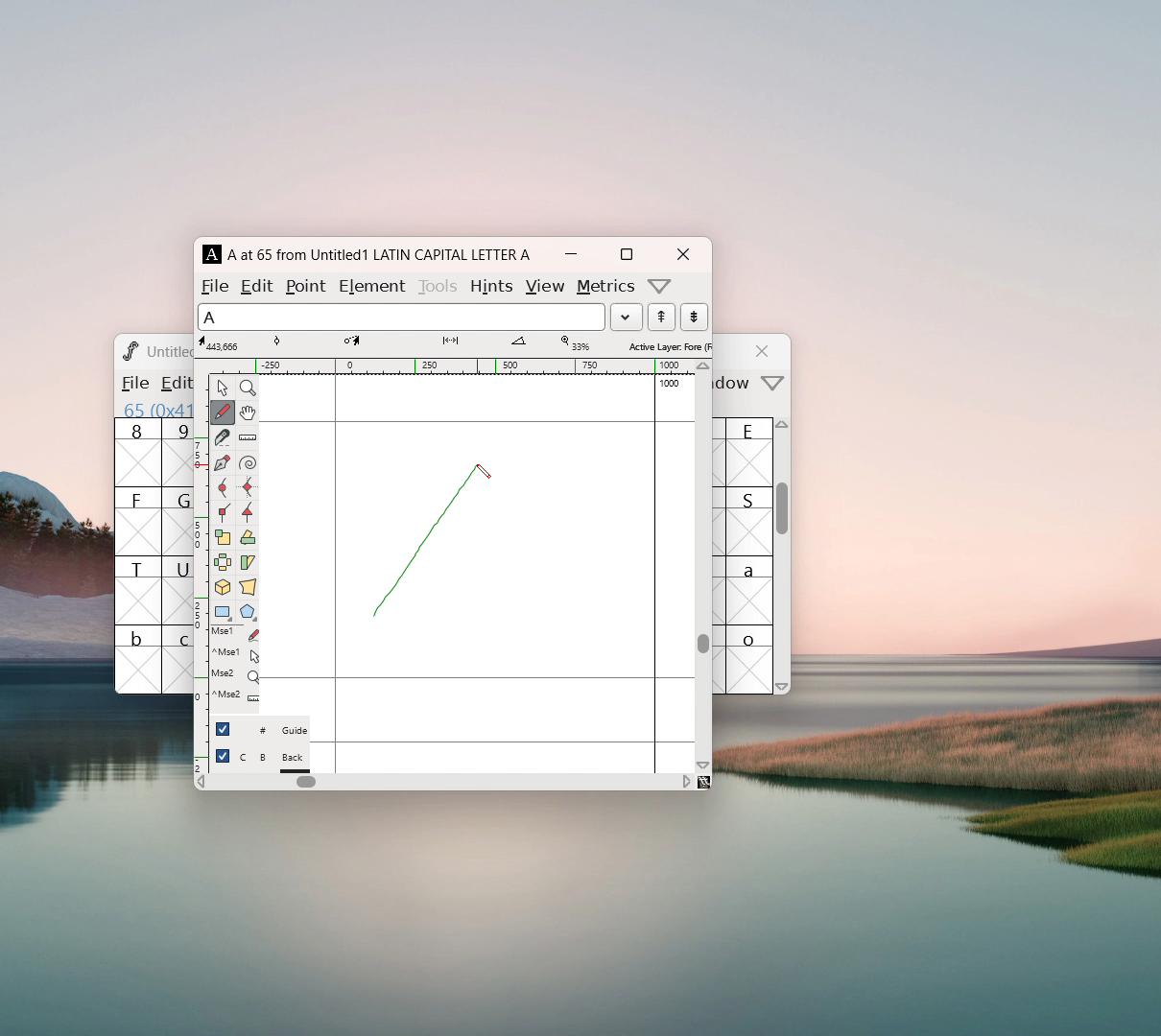  Describe the element at coordinates (248, 463) in the screenshot. I see `toggle spiro` at that location.